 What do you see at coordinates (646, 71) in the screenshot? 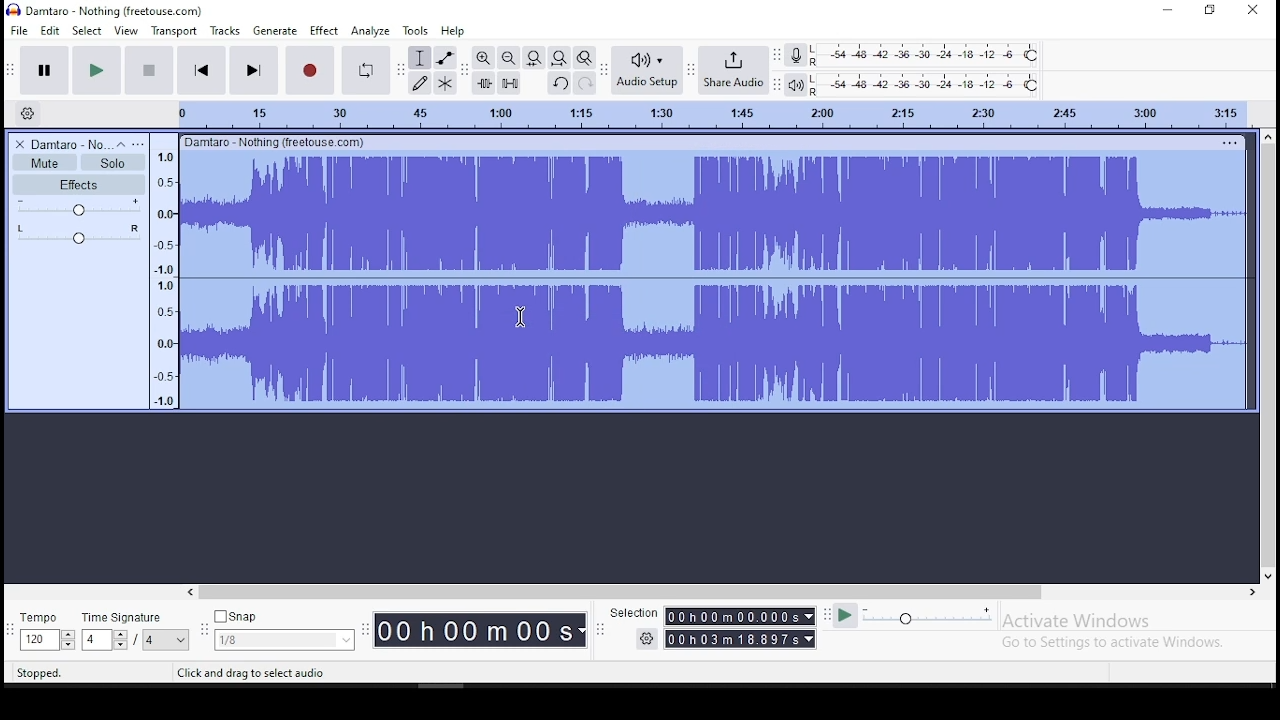
I see `audio setup` at bounding box center [646, 71].